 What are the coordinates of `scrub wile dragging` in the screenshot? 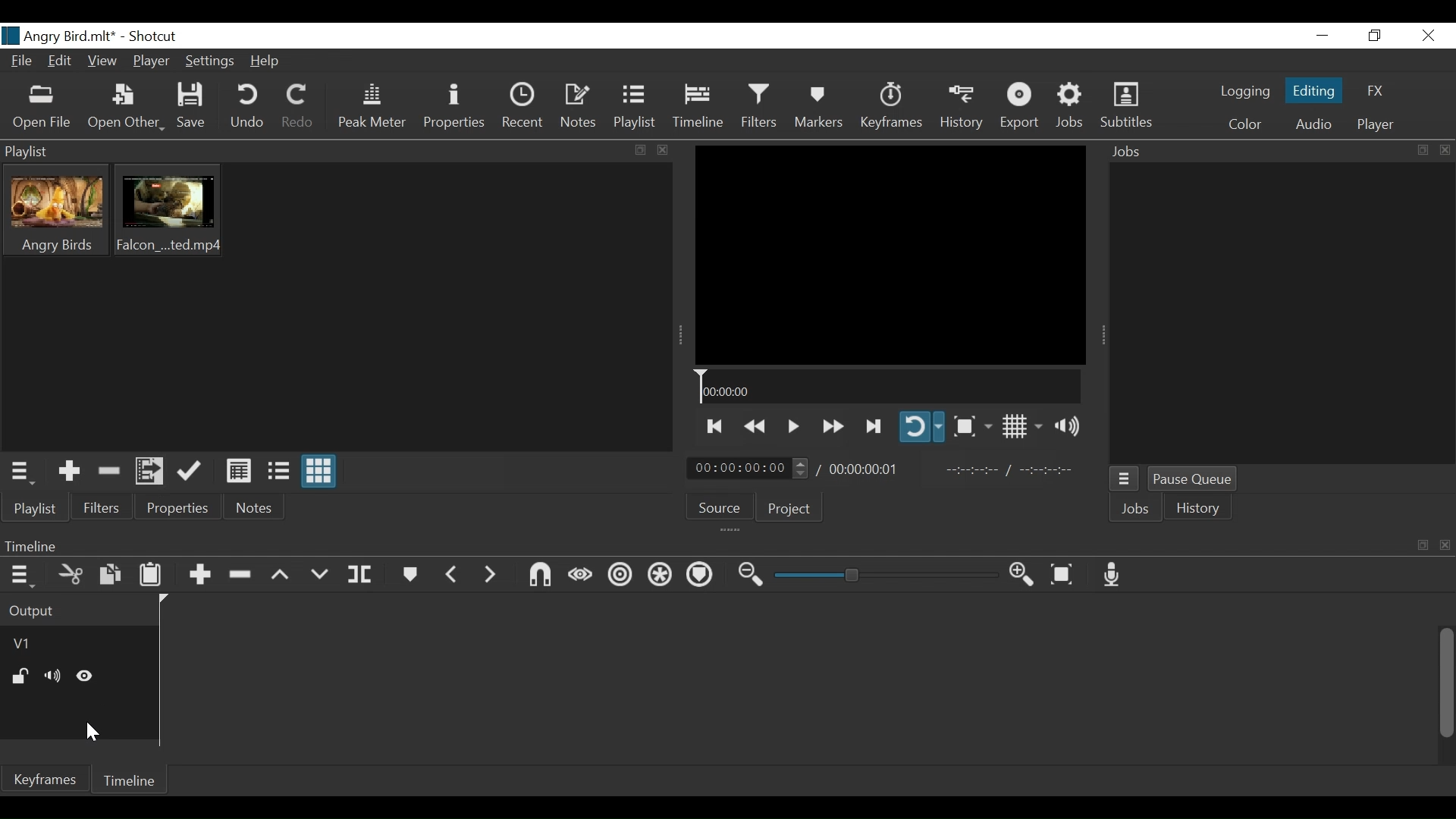 It's located at (581, 576).